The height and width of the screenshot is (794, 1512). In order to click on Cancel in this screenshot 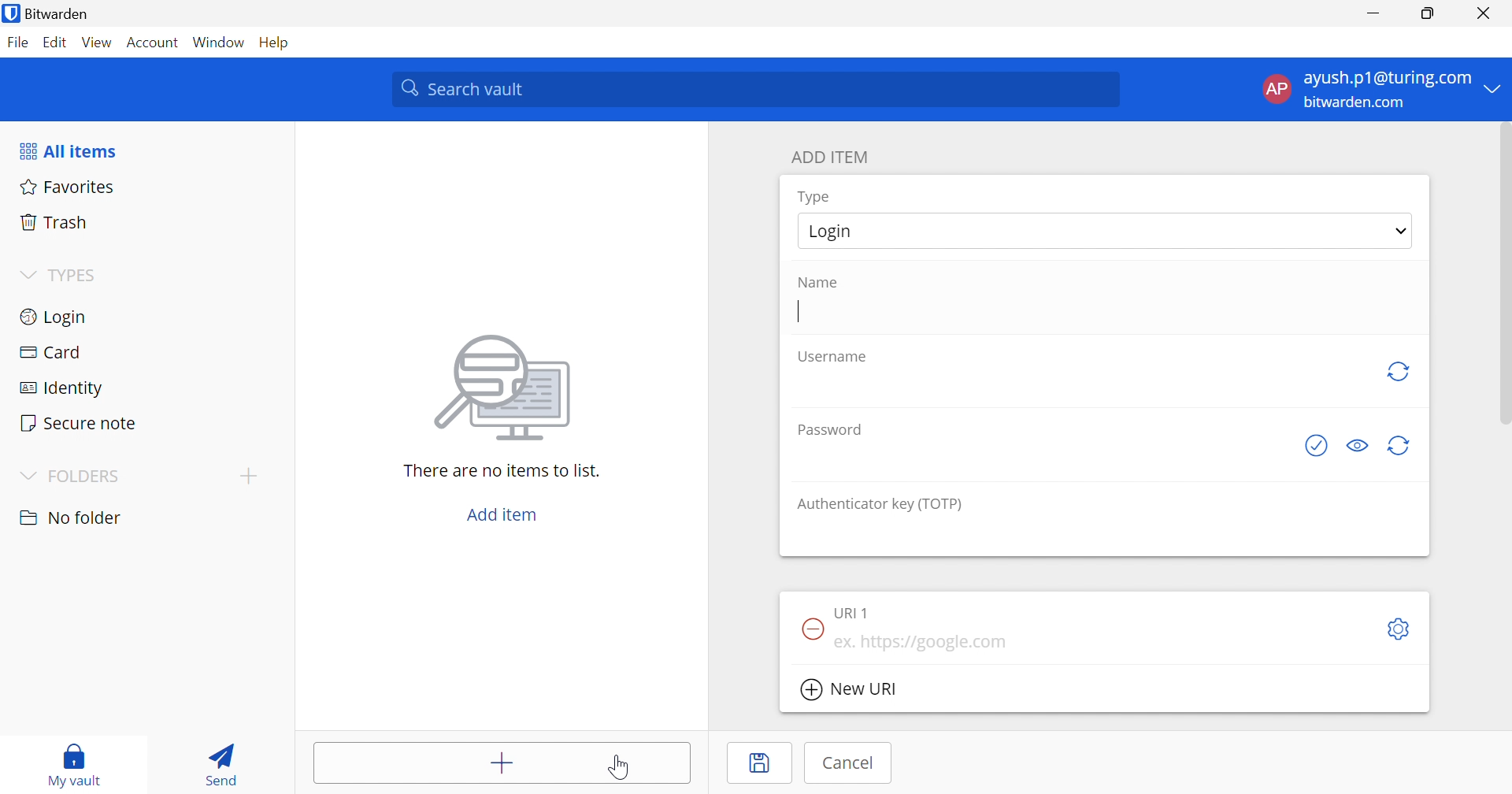, I will do `click(850, 762)`.